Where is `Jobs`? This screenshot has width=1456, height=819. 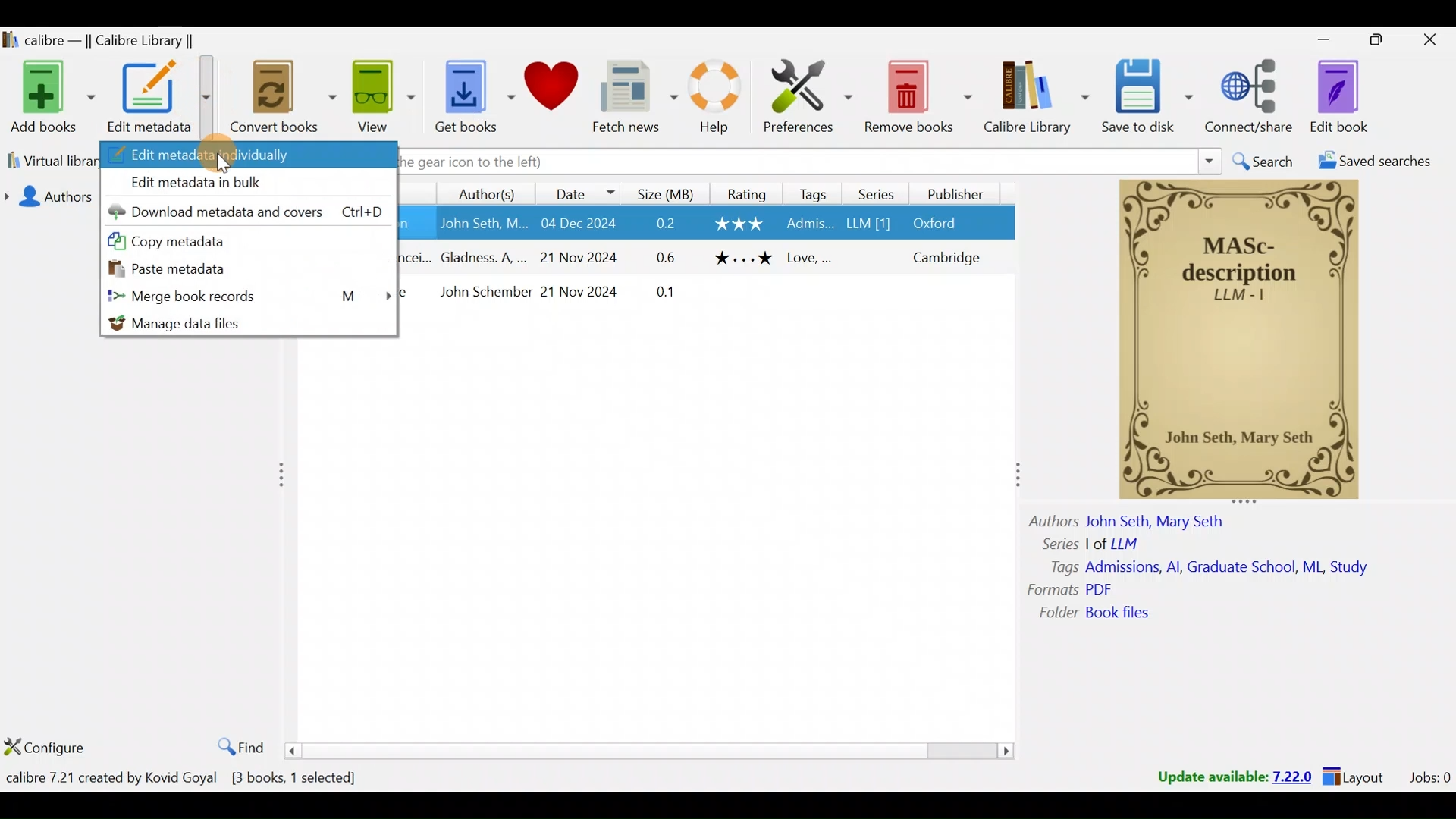 Jobs is located at coordinates (1428, 780).